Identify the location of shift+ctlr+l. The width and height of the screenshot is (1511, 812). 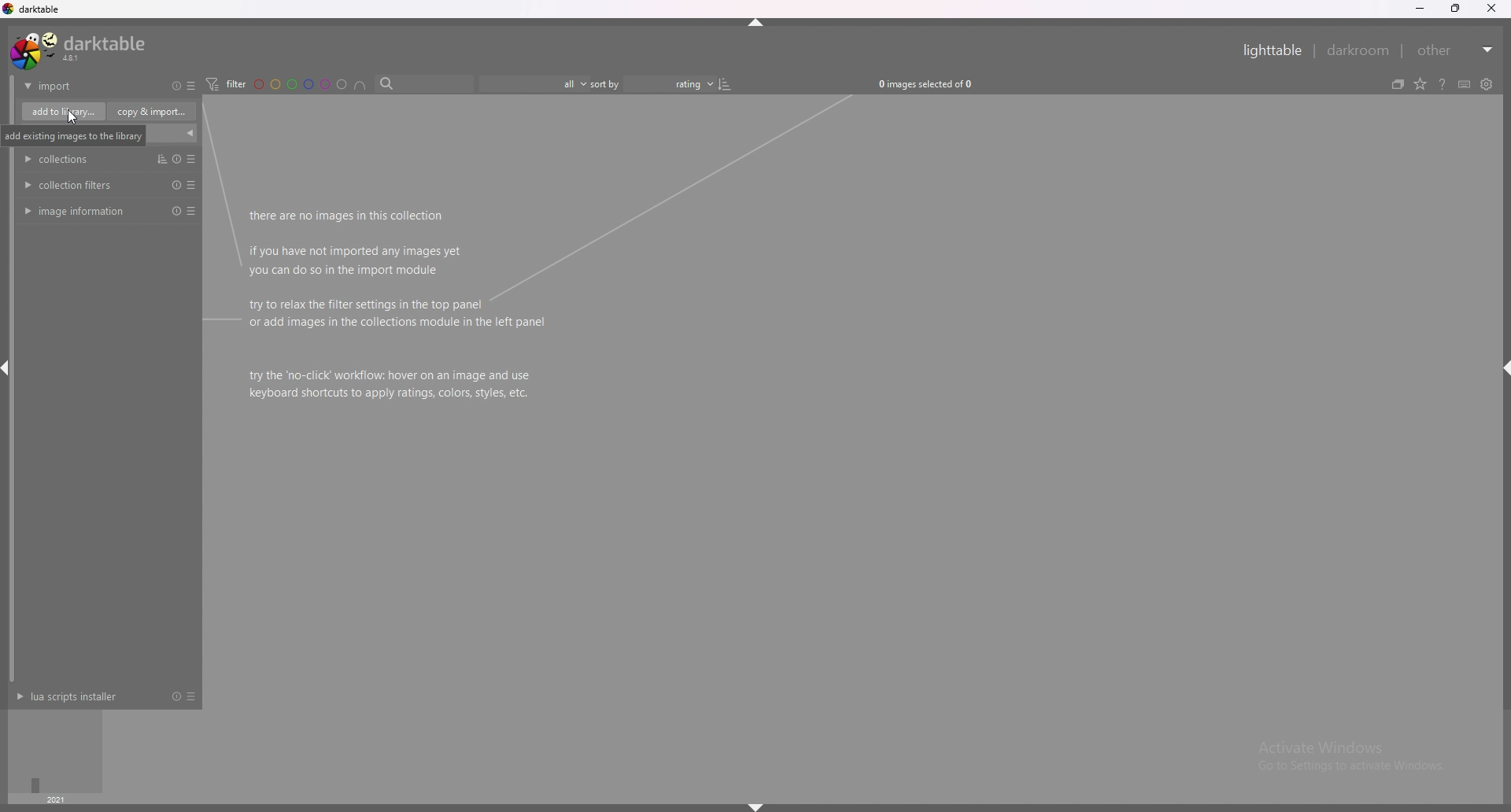
(9, 371).